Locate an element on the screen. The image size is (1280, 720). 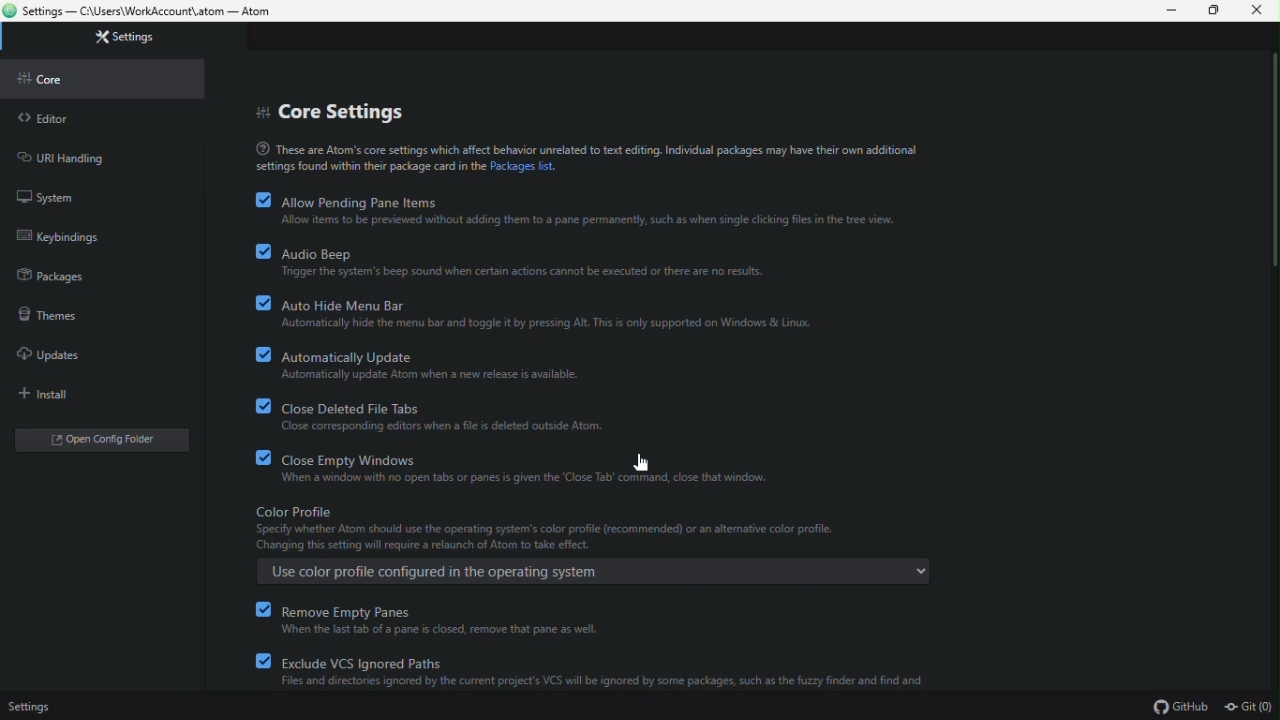
reMove empty panes is located at coordinates (617, 620).